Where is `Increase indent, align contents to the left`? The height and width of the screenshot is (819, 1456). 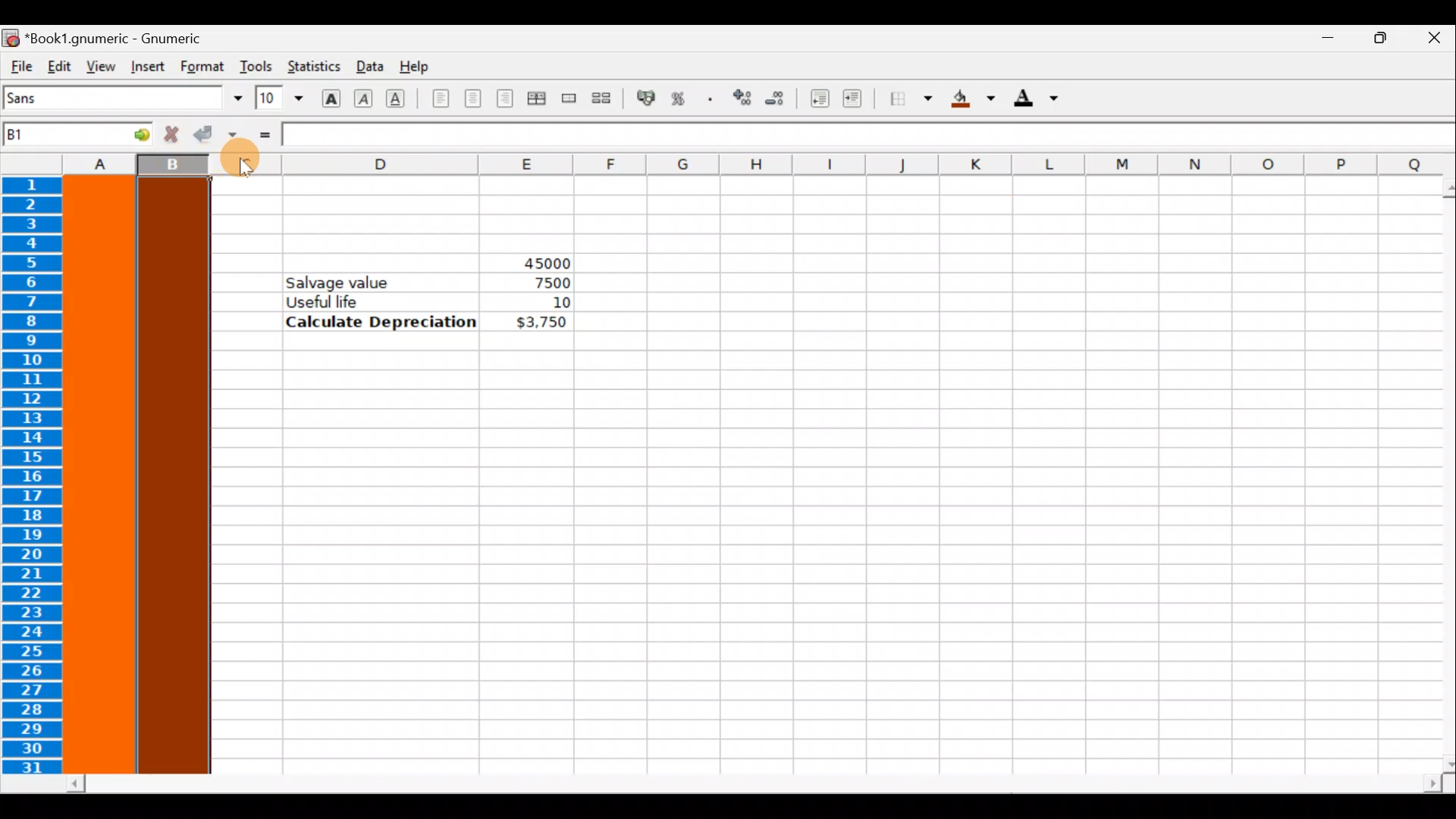 Increase indent, align contents to the left is located at coordinates (859, 100).